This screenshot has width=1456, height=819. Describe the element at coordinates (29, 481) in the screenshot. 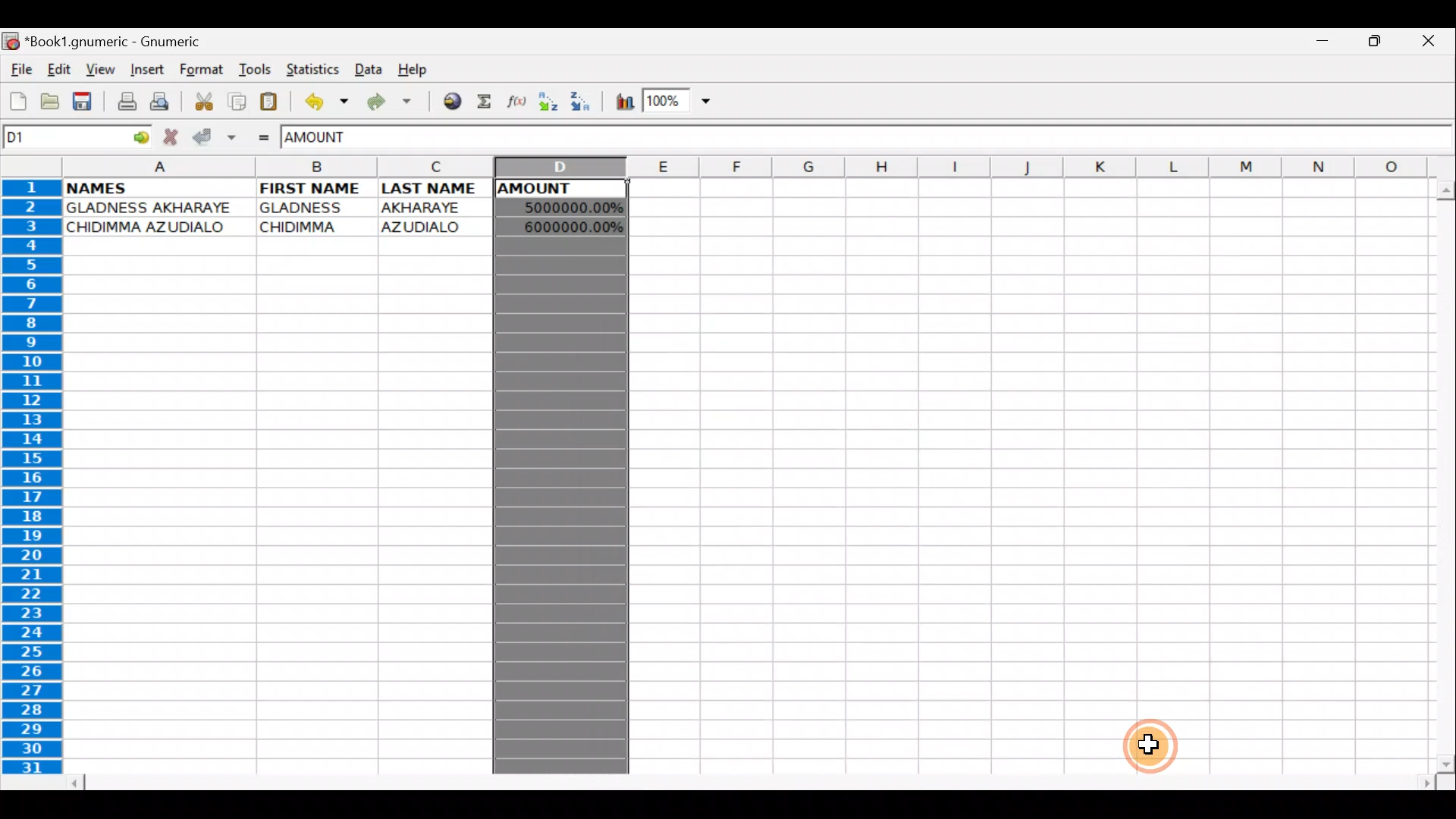

I see `Rows` at that location.